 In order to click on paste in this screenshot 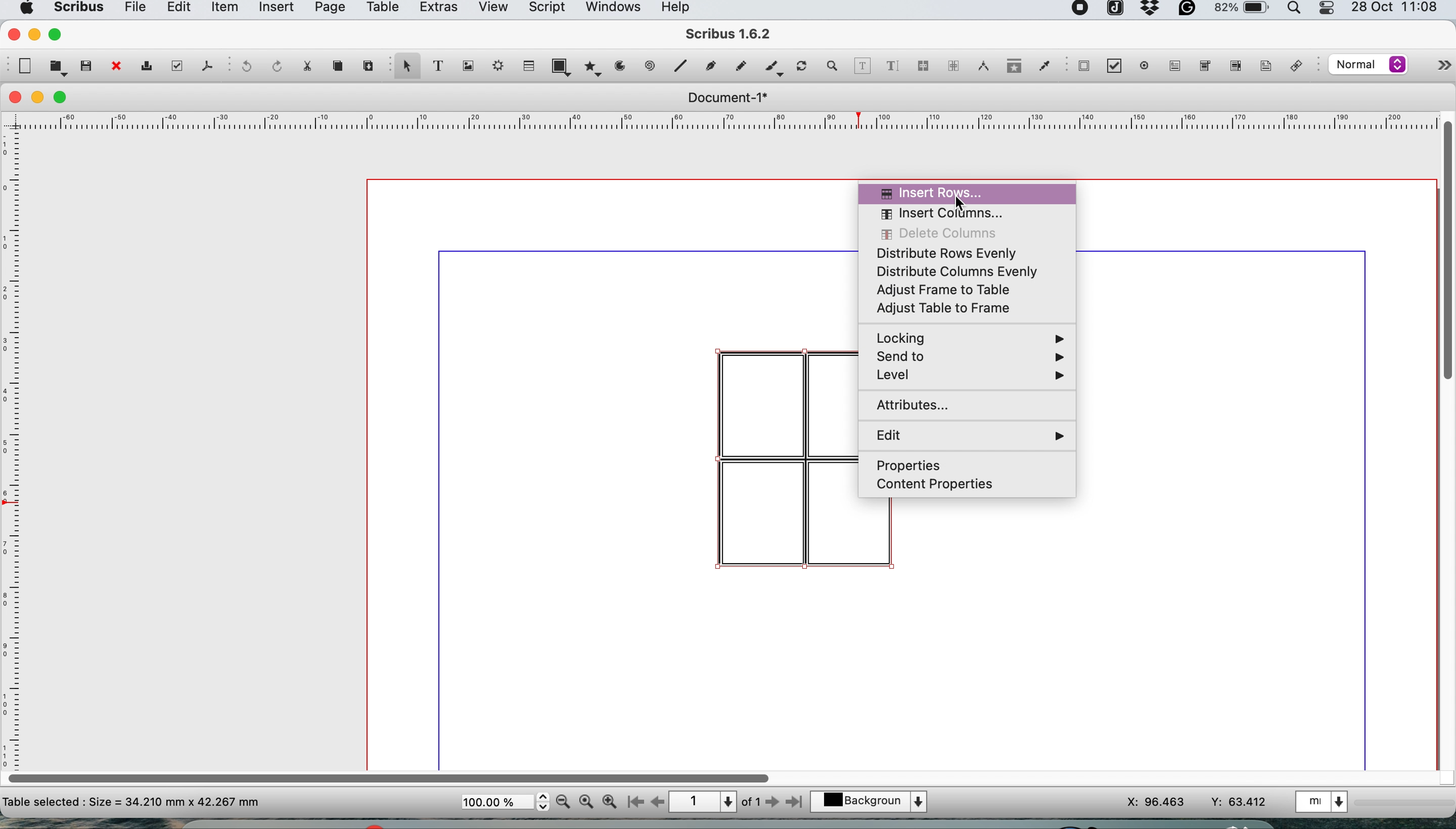, I will do `click(367, 64)`.